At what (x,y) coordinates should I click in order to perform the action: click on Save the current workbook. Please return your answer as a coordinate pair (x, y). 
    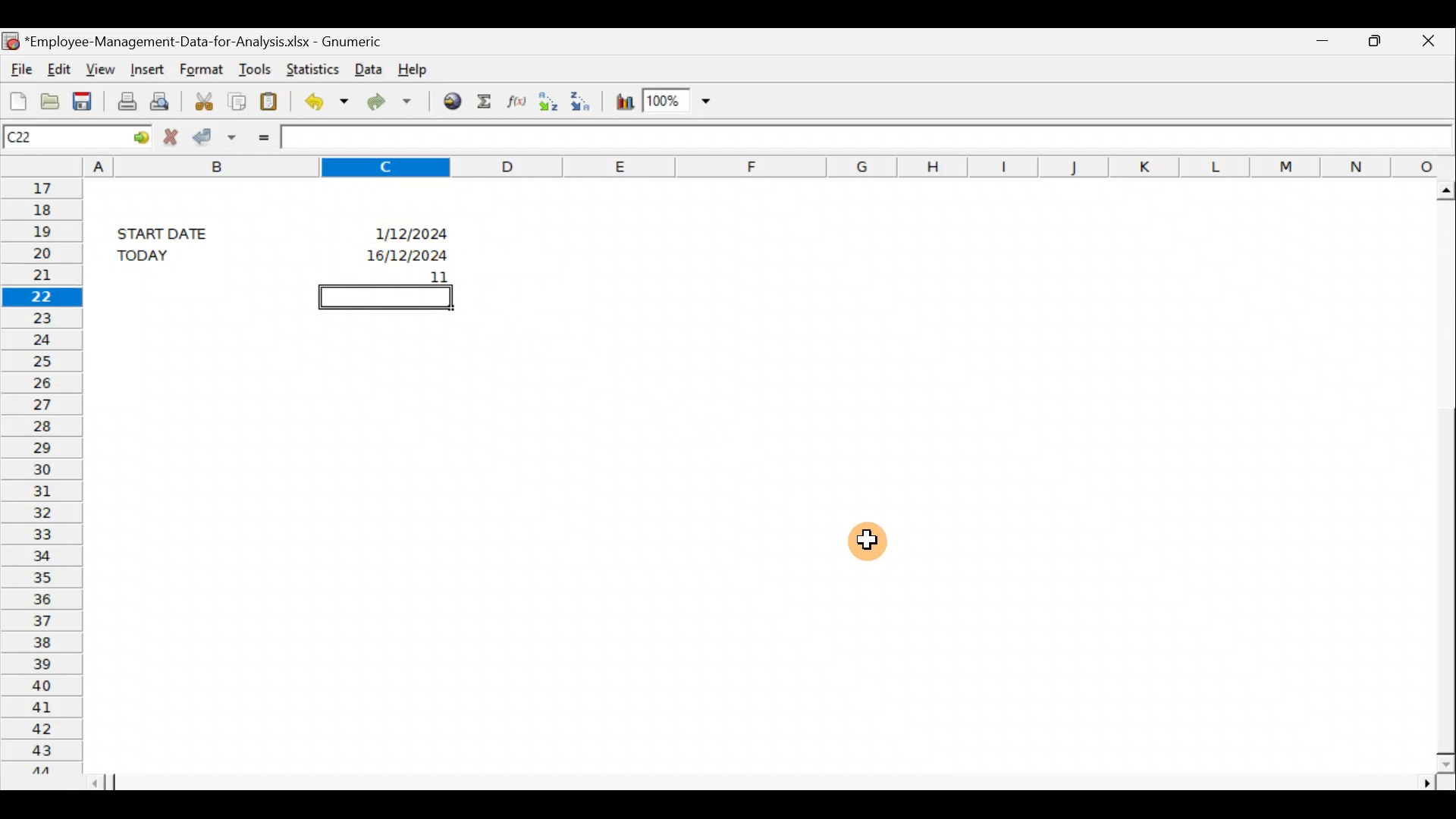
    Looking at the image, I should click on (85, 99).